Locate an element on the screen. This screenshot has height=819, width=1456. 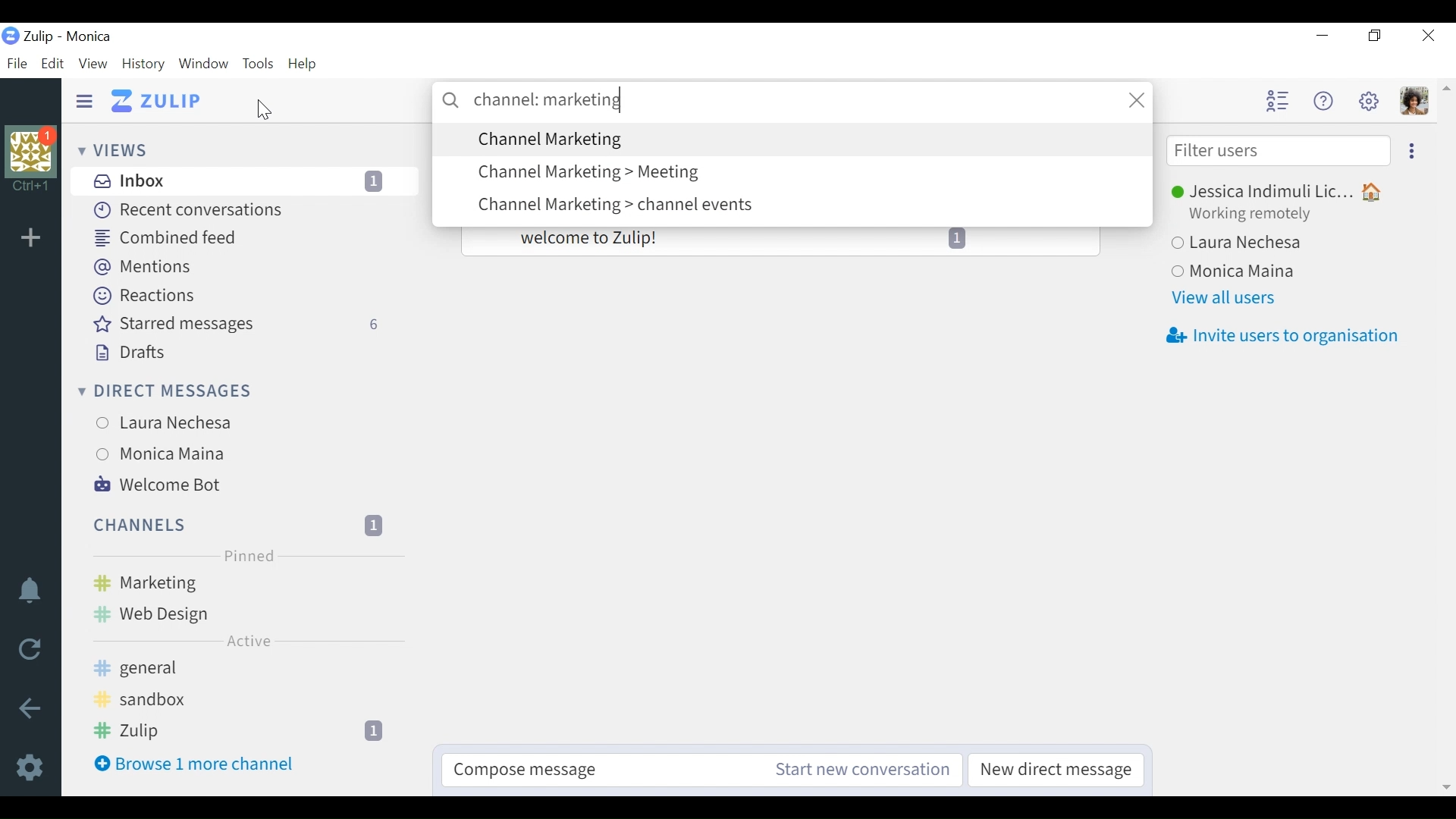
Direct messages dropdown is located at coordinates (162, 392).